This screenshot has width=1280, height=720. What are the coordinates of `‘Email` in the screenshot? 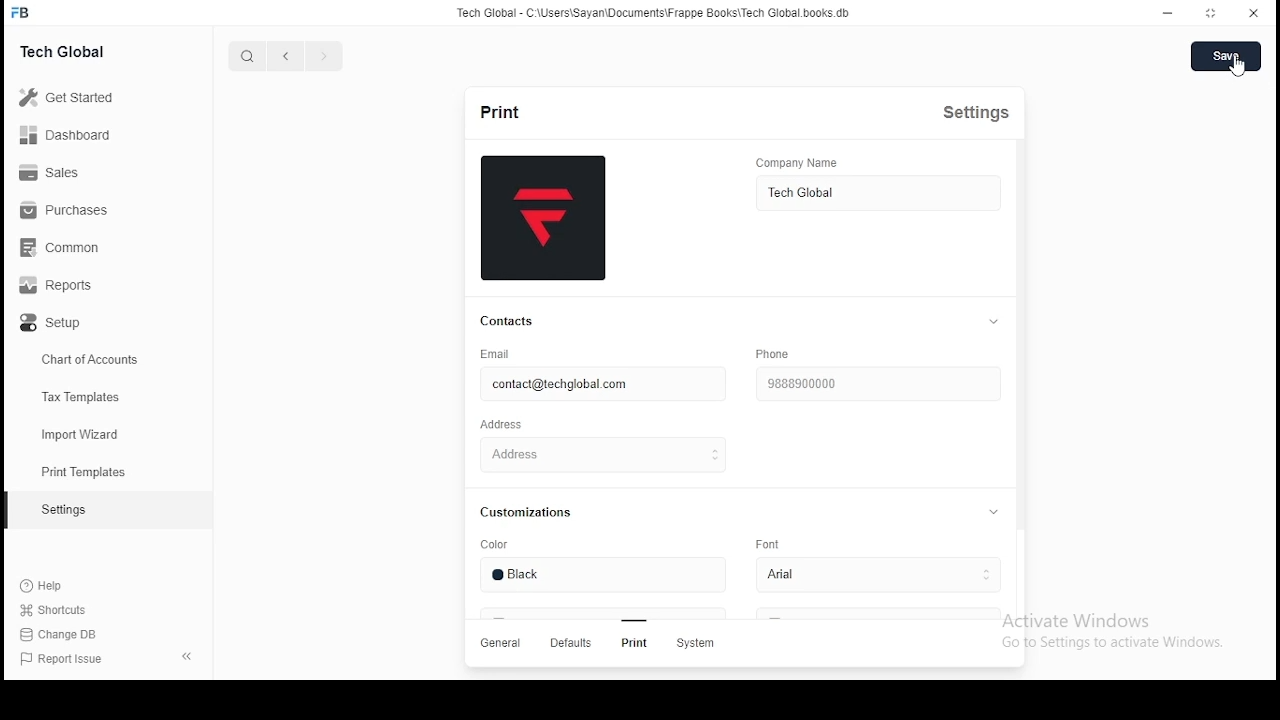 It's located at (503, 354).